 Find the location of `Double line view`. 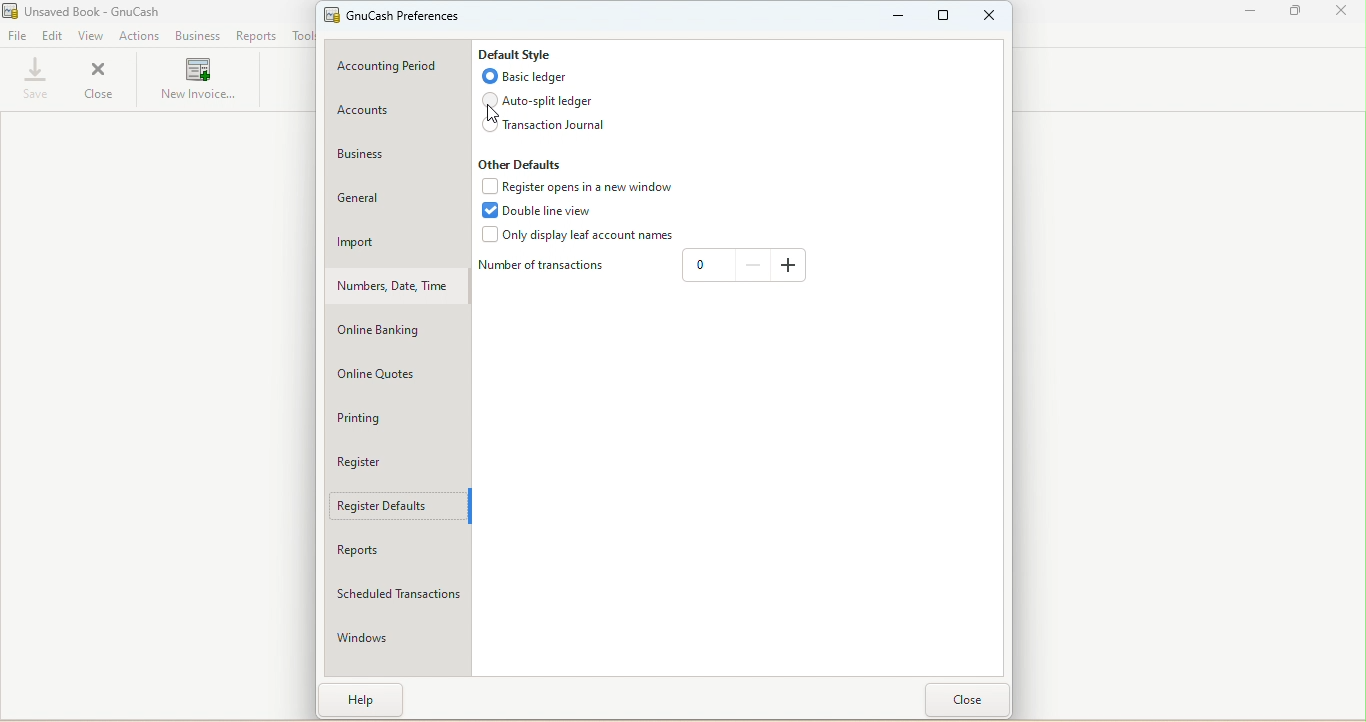

Double line view is located at coordinates (551, 209).